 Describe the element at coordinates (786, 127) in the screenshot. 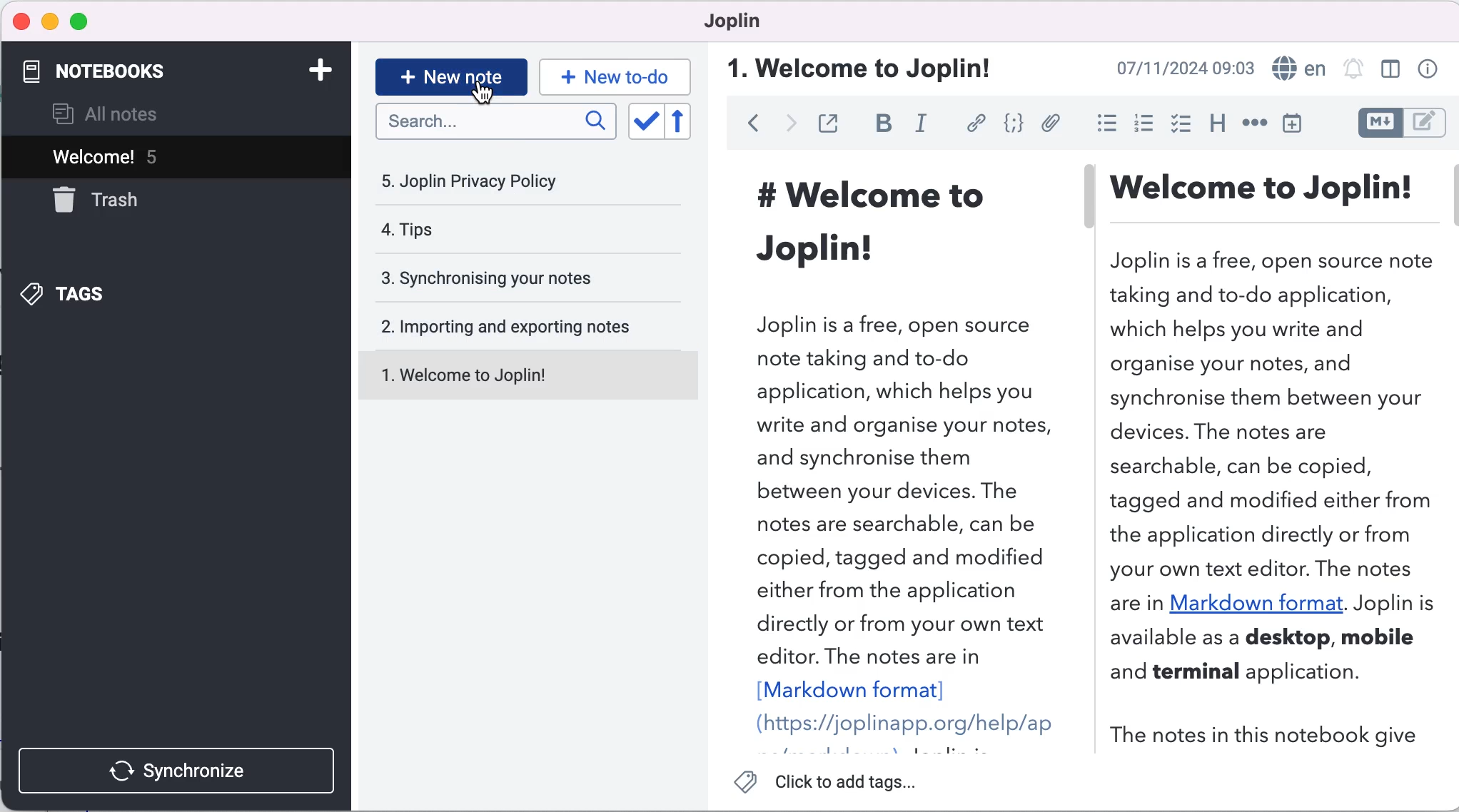

I see `forward` at that location.